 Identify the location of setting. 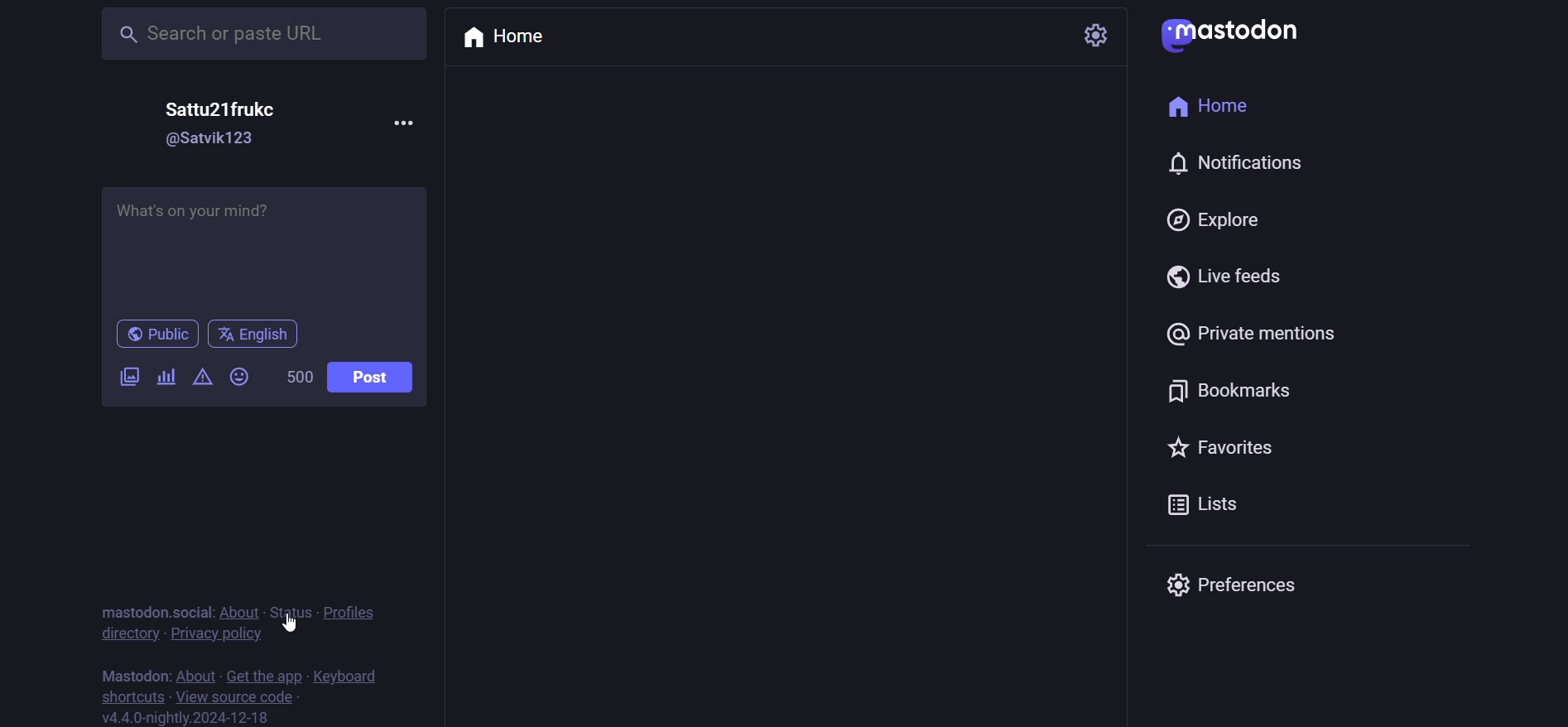
(1100, 34).